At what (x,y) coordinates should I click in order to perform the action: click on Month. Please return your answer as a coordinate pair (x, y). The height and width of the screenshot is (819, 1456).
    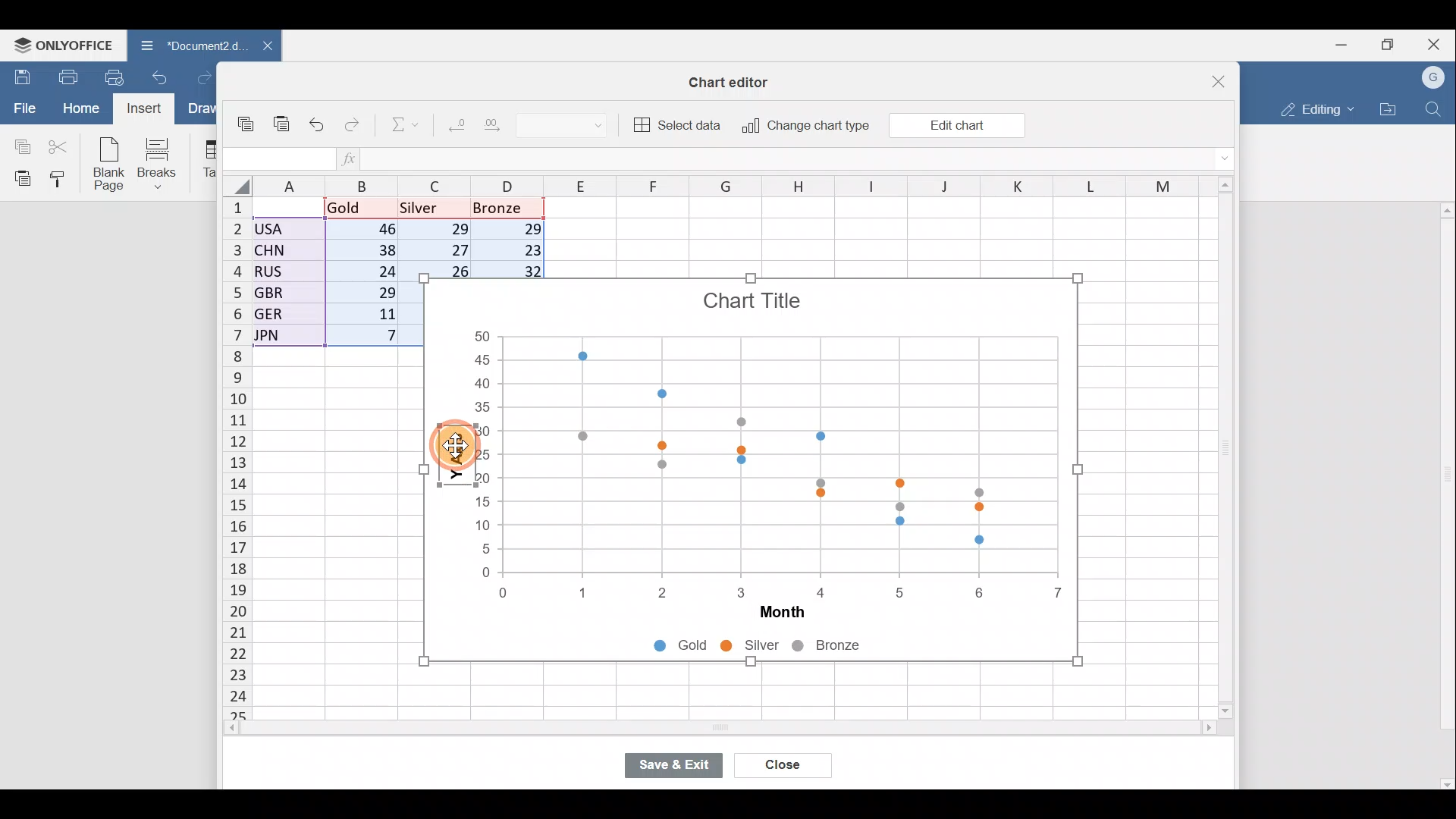
    Looking at the image, I should click on (775, 614).